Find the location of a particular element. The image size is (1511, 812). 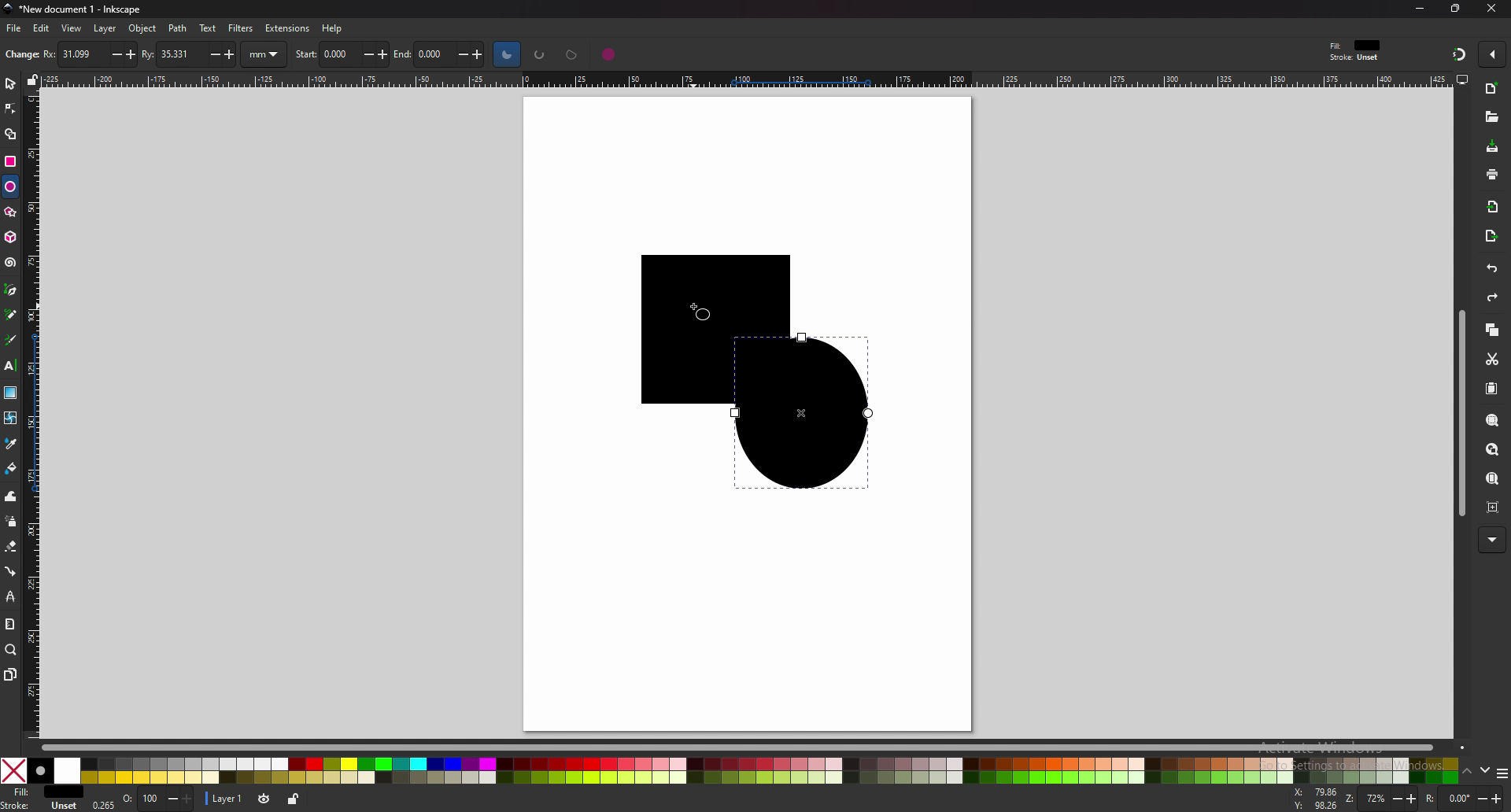

export is located at coordinates (1491, 235).